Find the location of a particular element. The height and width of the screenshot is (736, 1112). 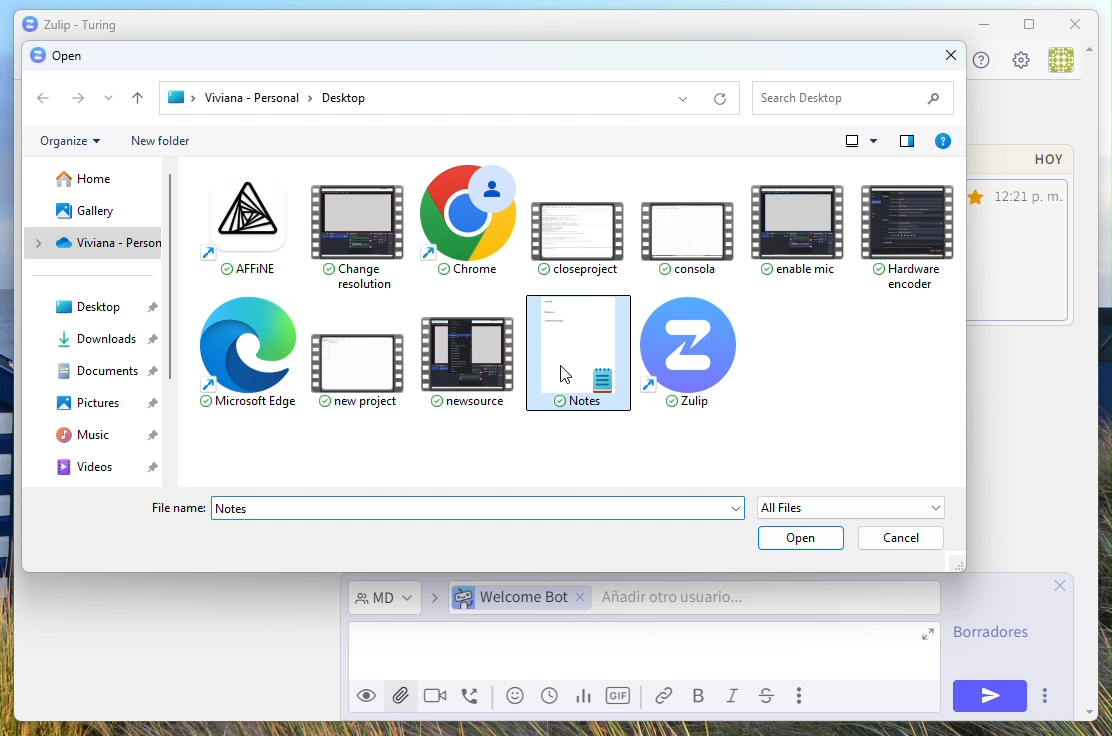

newsource is located at coordinates (472, 359).